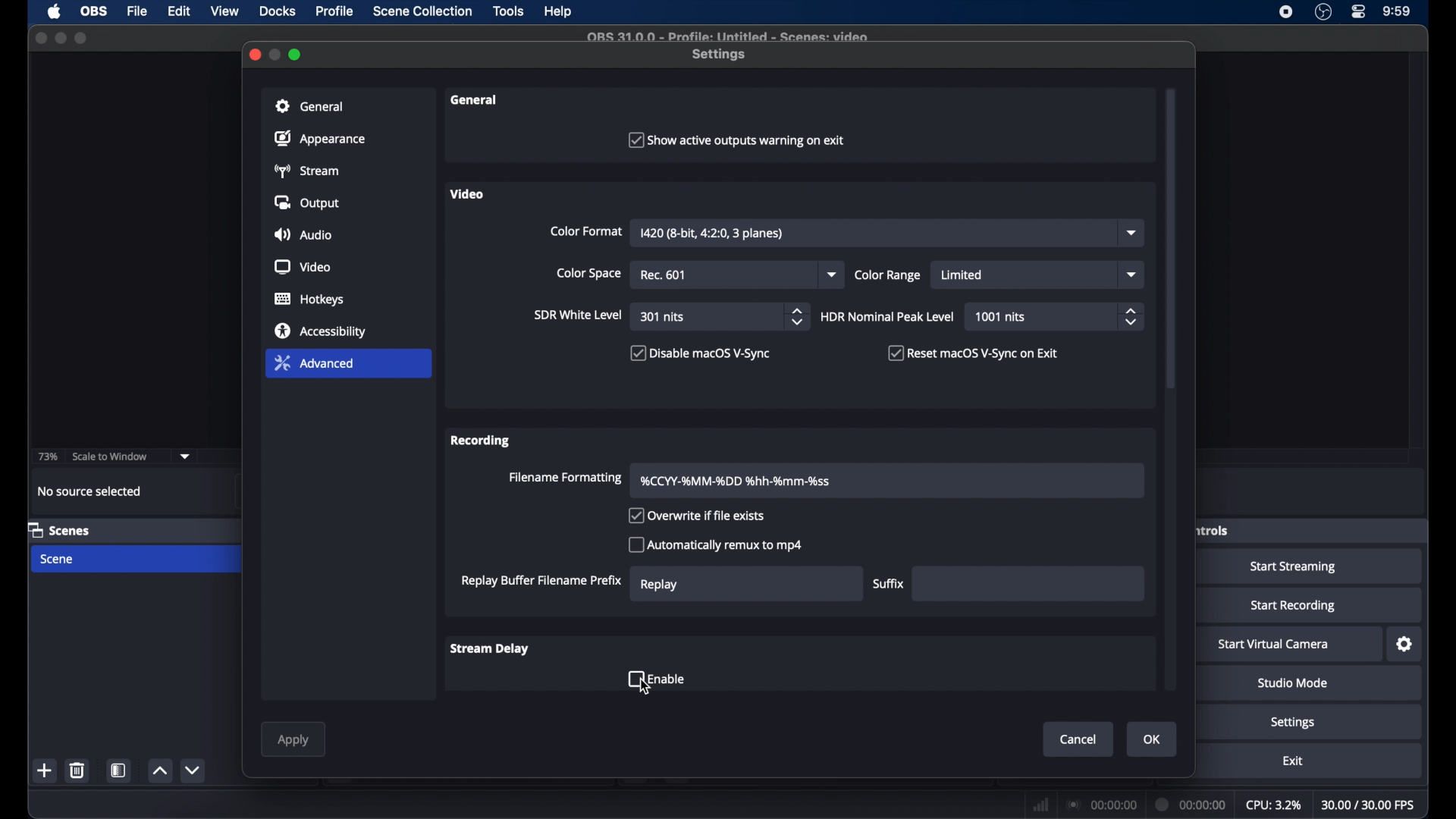  What do you see at coordinates (309, 171) in the screenshot?
I see `stream` at bounding box center [309, 171].